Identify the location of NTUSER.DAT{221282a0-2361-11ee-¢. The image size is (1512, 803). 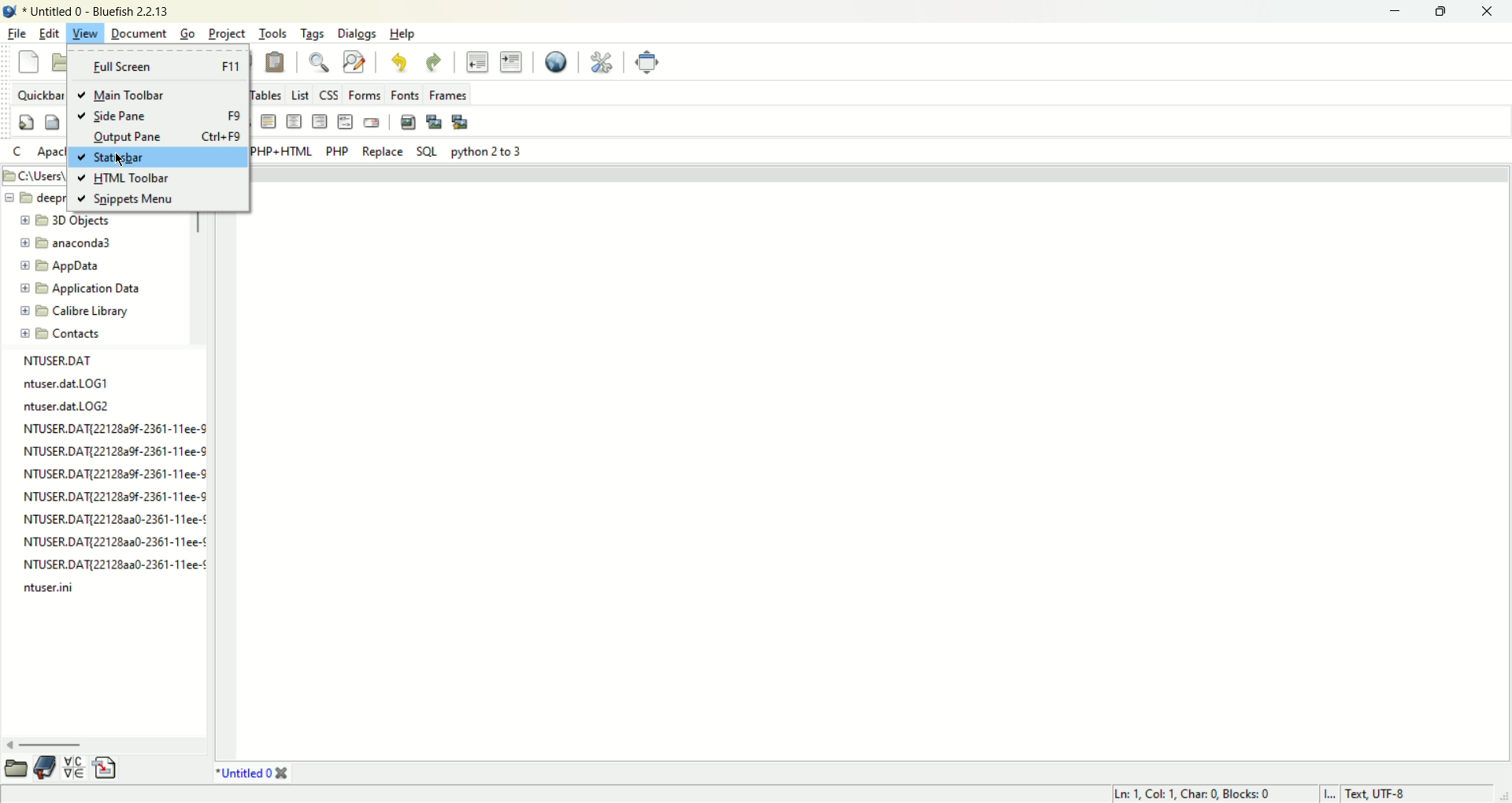
(113, 544).